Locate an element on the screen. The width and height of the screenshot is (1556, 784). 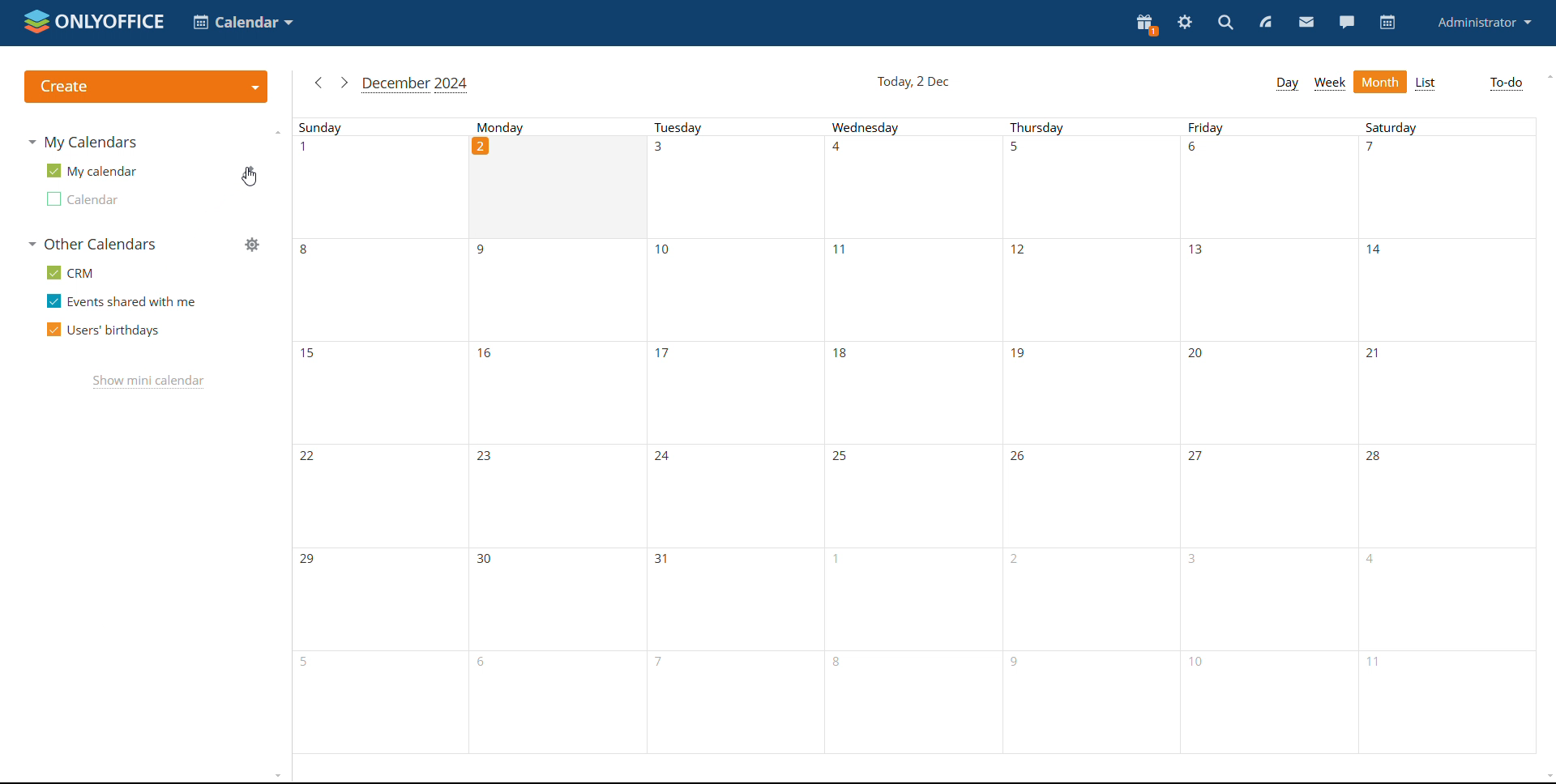
monday is located at coordinates (553, 445).